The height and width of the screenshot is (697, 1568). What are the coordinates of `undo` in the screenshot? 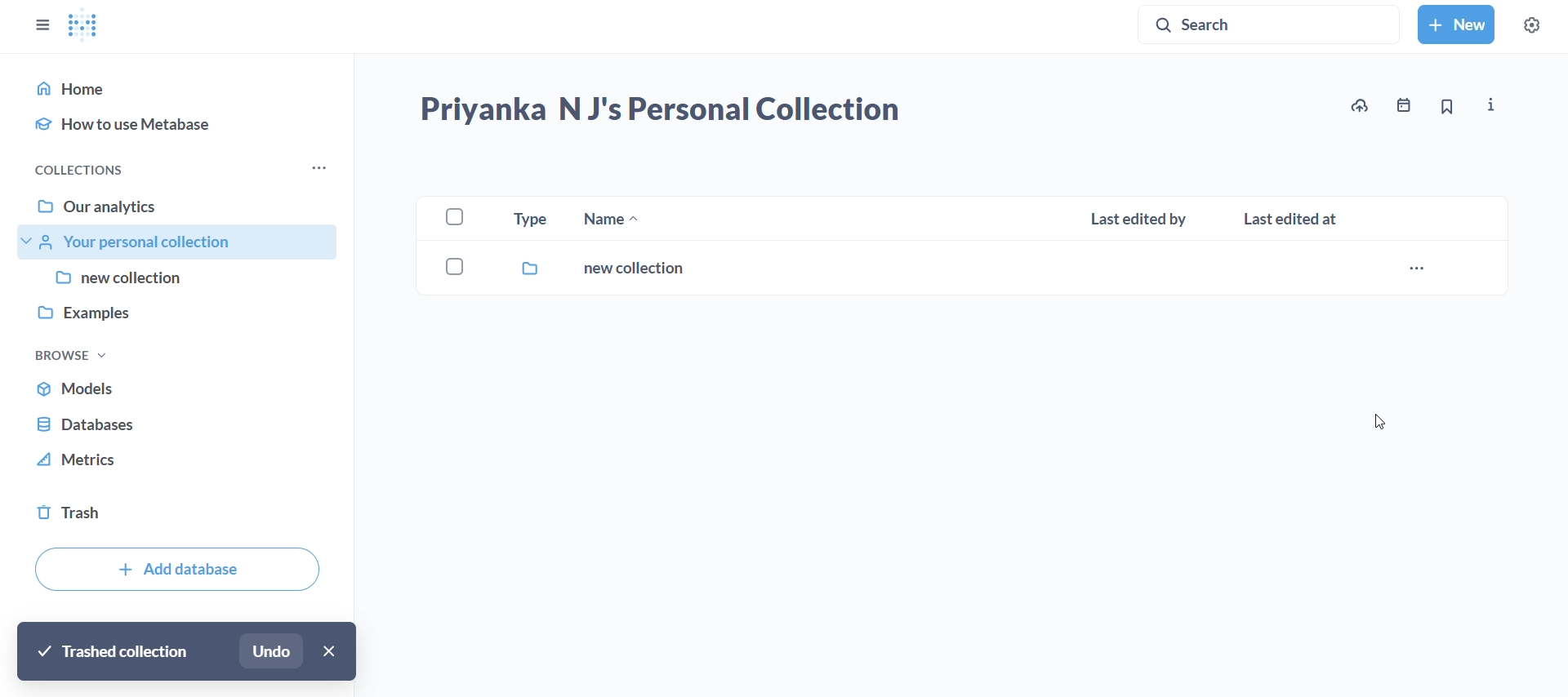 It's located at (270, 649).